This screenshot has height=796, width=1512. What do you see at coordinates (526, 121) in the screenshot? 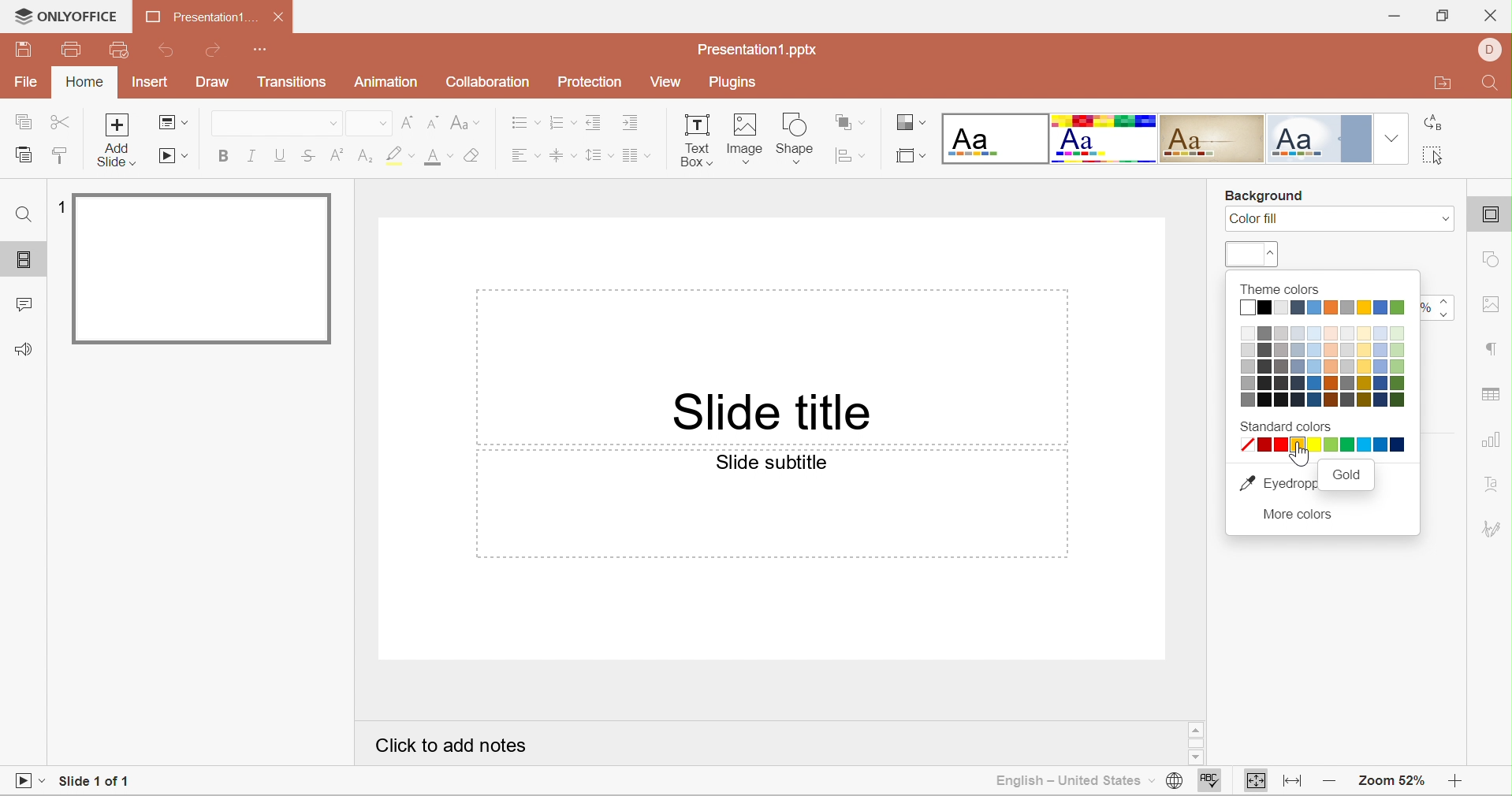
I see `Bullets` at bounding box center [526, 121].